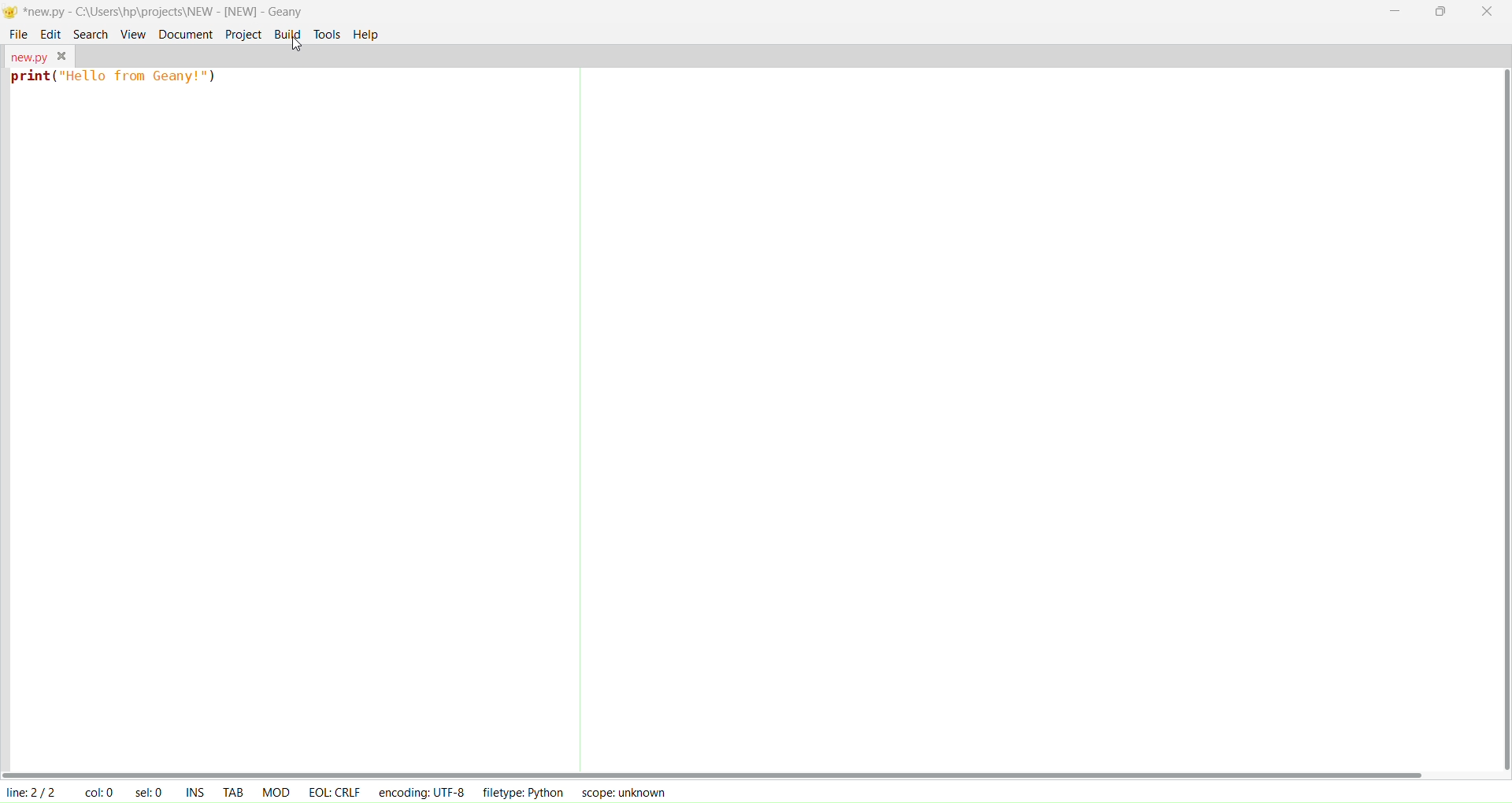 Image resolution: width=1512 pixels, height=803 pixels. Describe the element at coordinates (62, 56) in the screenshot. I see `close tab` at that location.